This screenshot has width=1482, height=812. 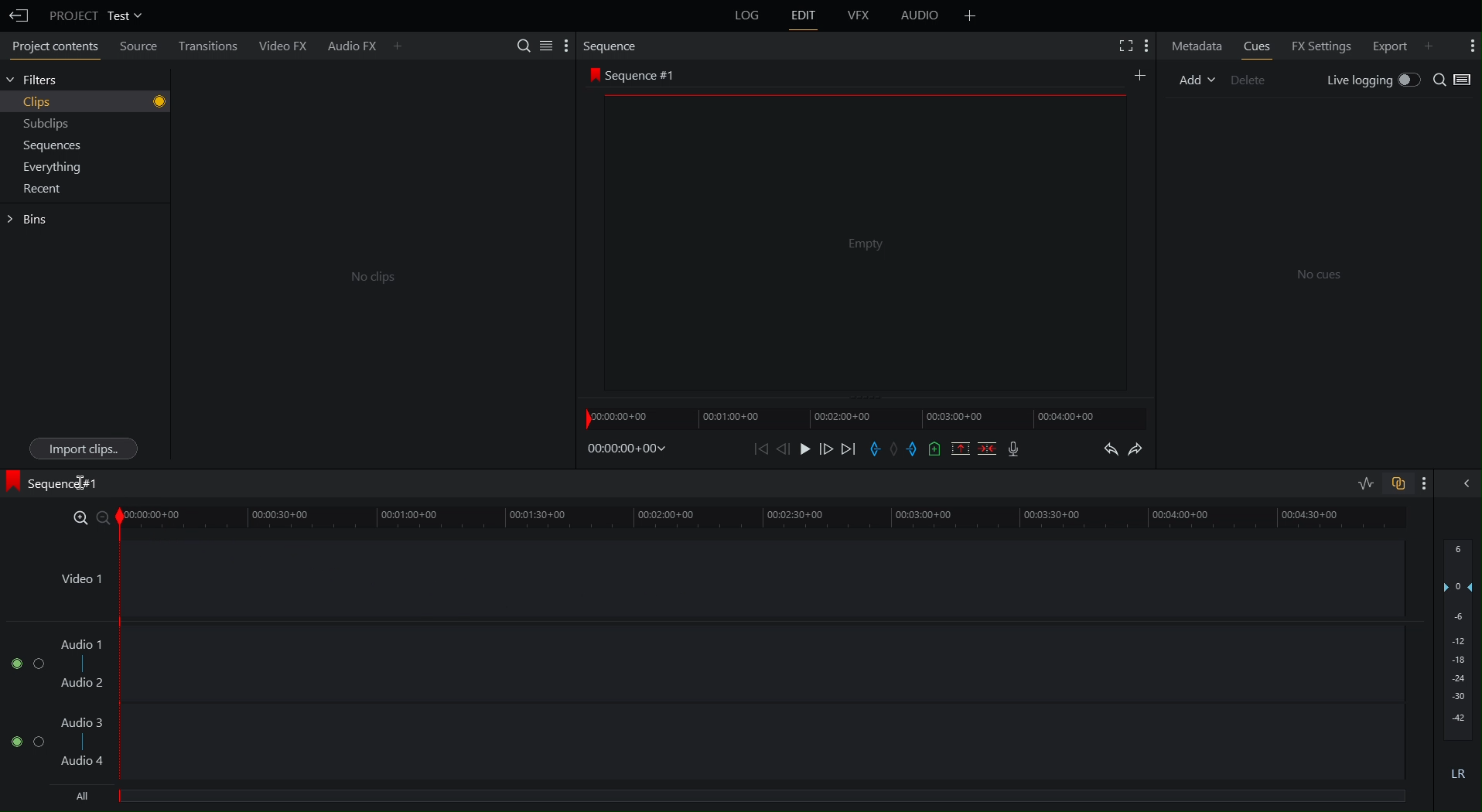 What do you see at coordinates (43, 123) in the screenshot?
I see `Subclips` at bounding box center [43, 123].